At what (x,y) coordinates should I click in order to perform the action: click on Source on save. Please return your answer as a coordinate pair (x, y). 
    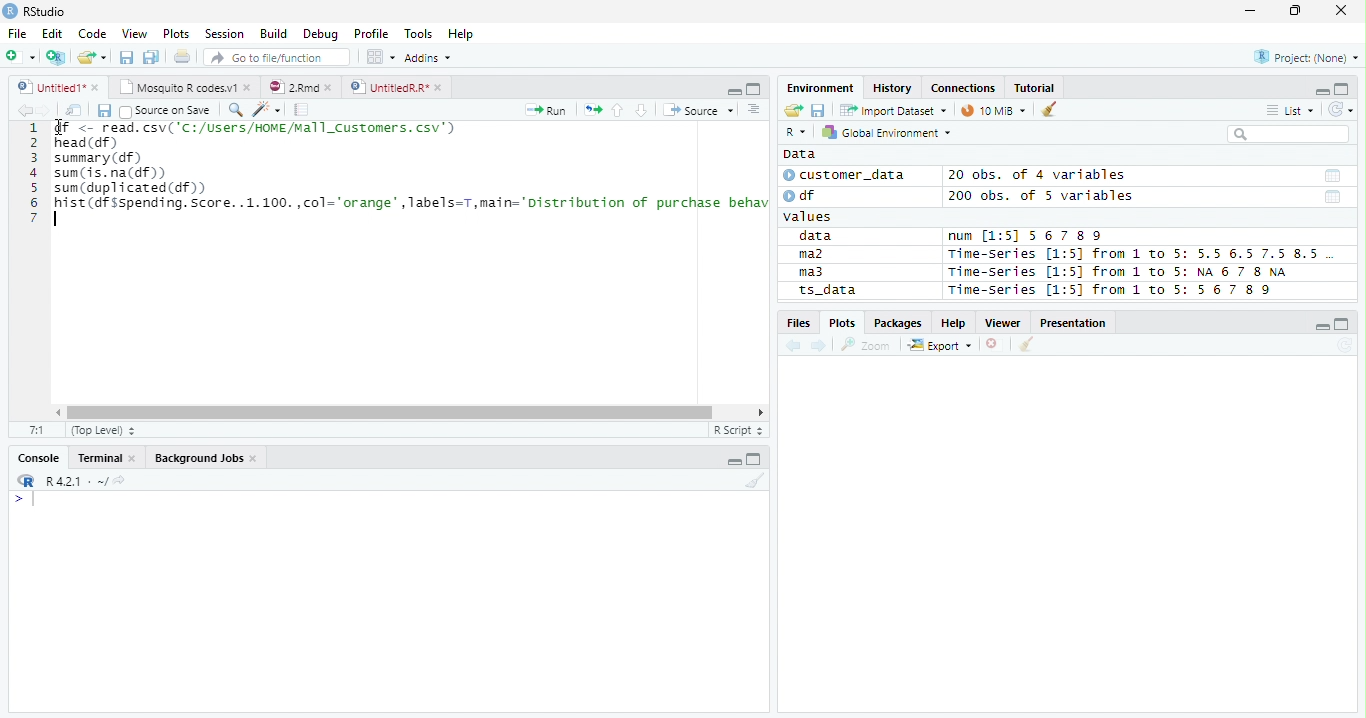
    Looking at the image, I should click on (166, 111).